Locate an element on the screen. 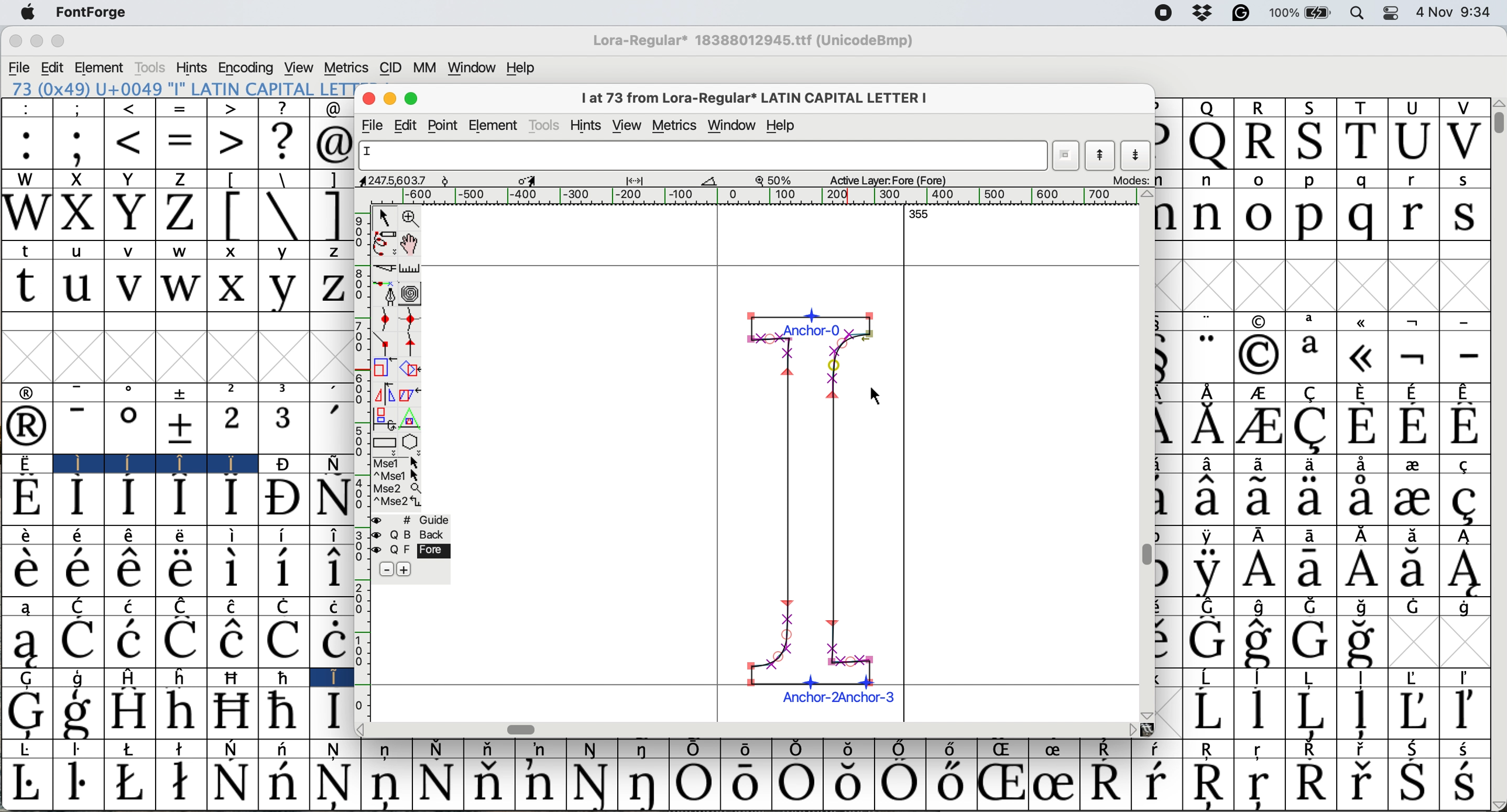 Image resolution: width=1507 pixels, height=812 pixels. close is located at coordinates (16, 42).